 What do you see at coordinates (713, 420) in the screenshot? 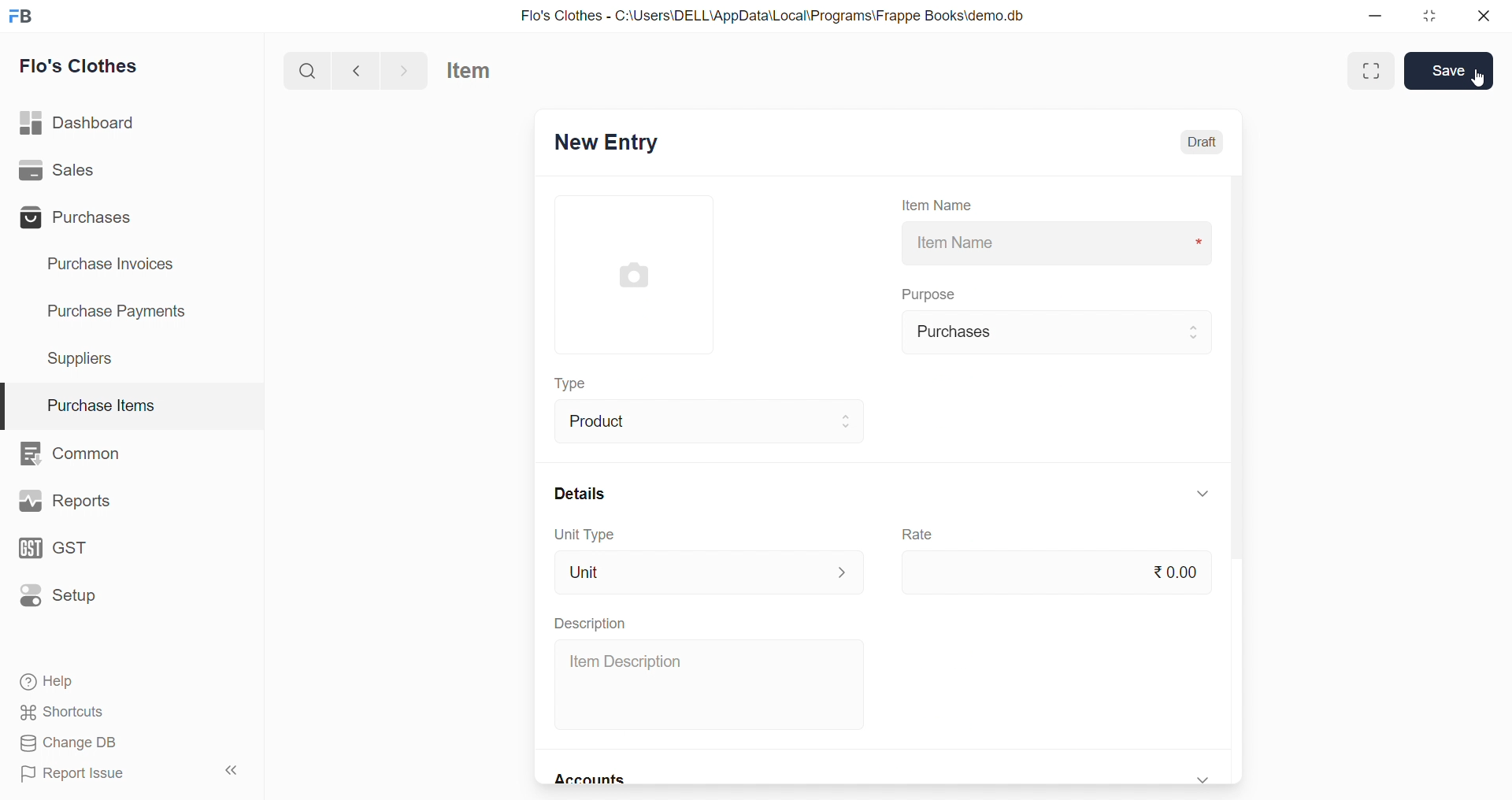
I see `Product` at bounding box center [713, 420].